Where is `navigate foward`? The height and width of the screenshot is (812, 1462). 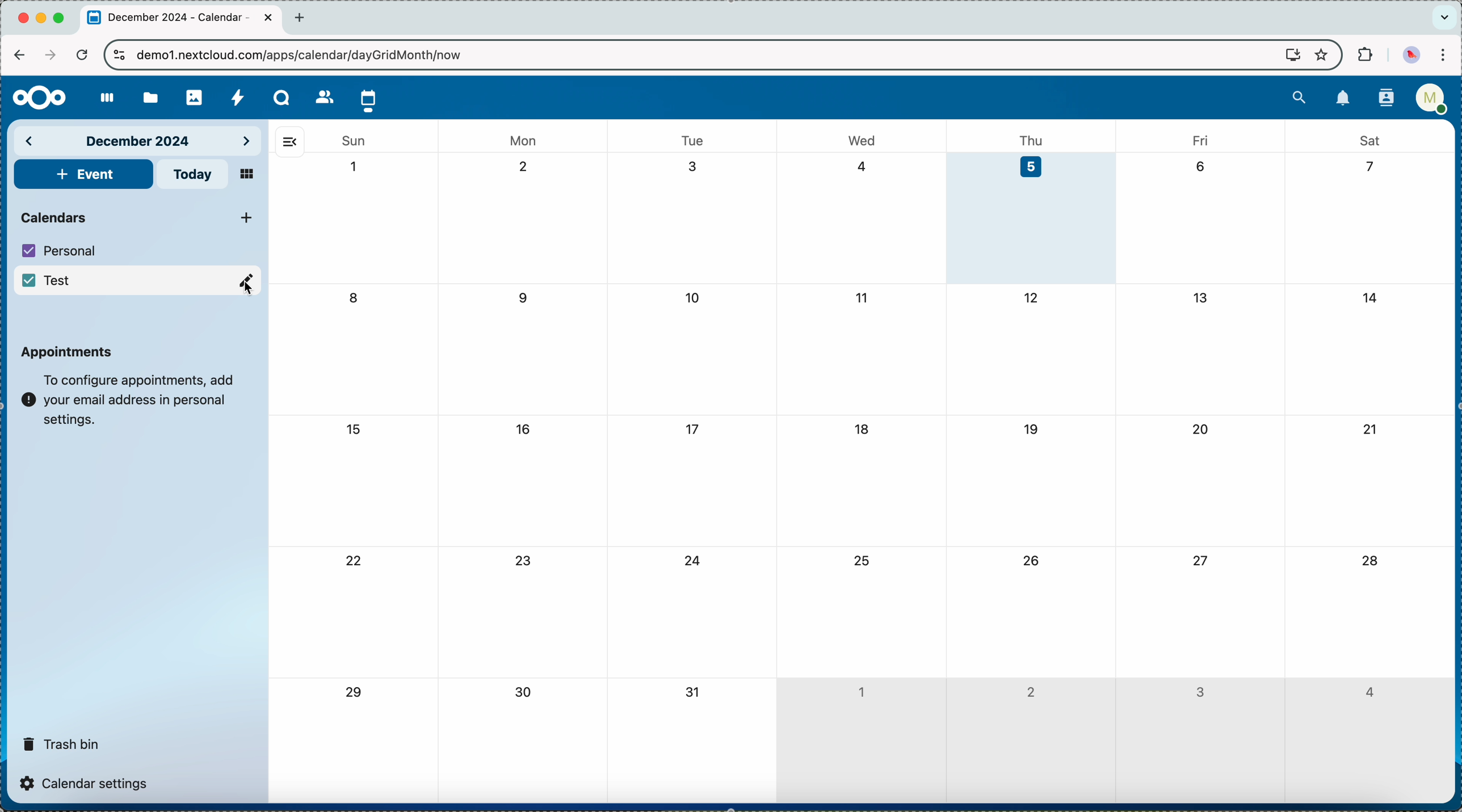 navigate foward is located at coordinates (48, 55).